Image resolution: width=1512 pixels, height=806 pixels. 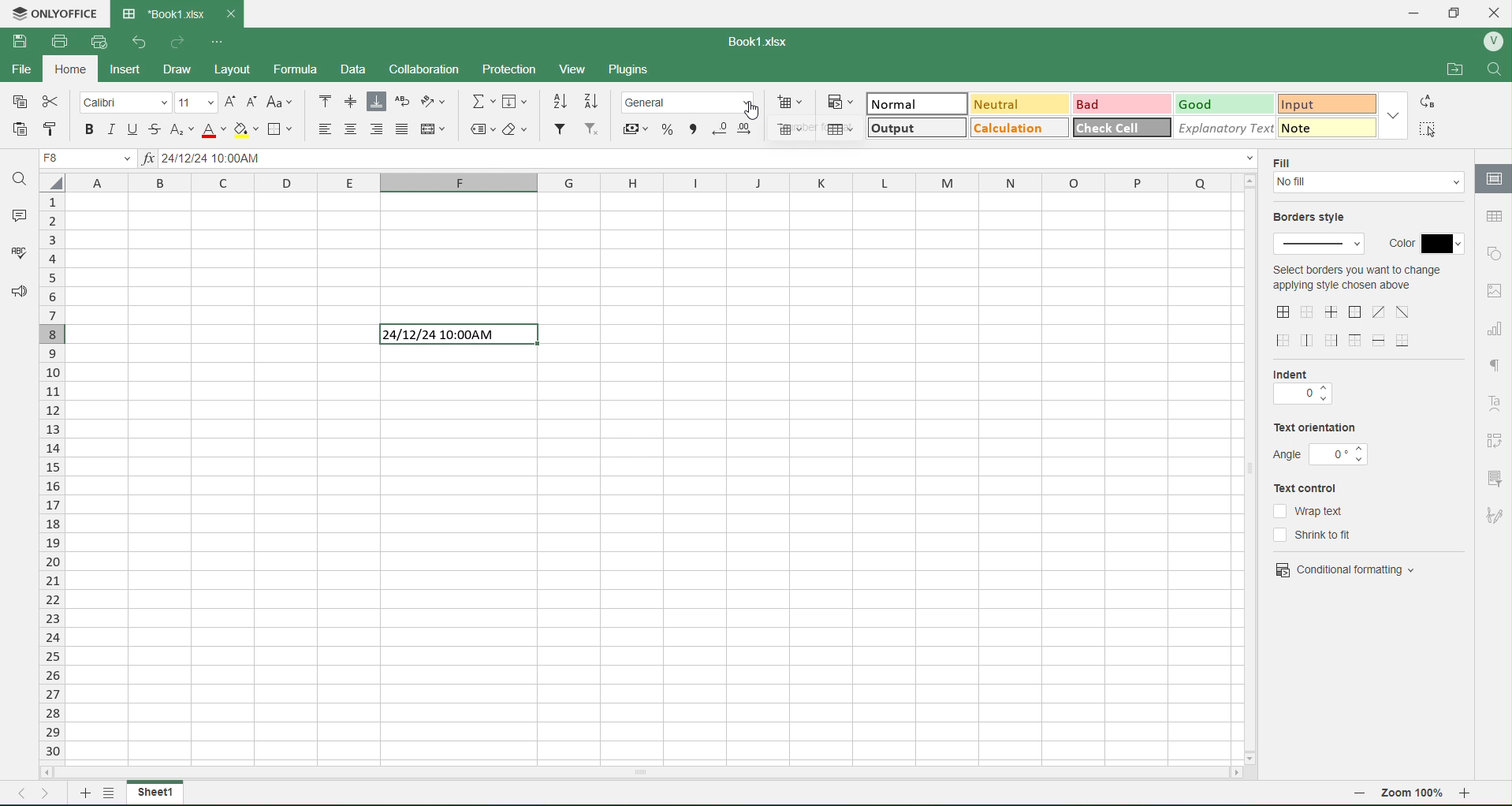 I want to click on Copy Style, so click(x=48, y=129).